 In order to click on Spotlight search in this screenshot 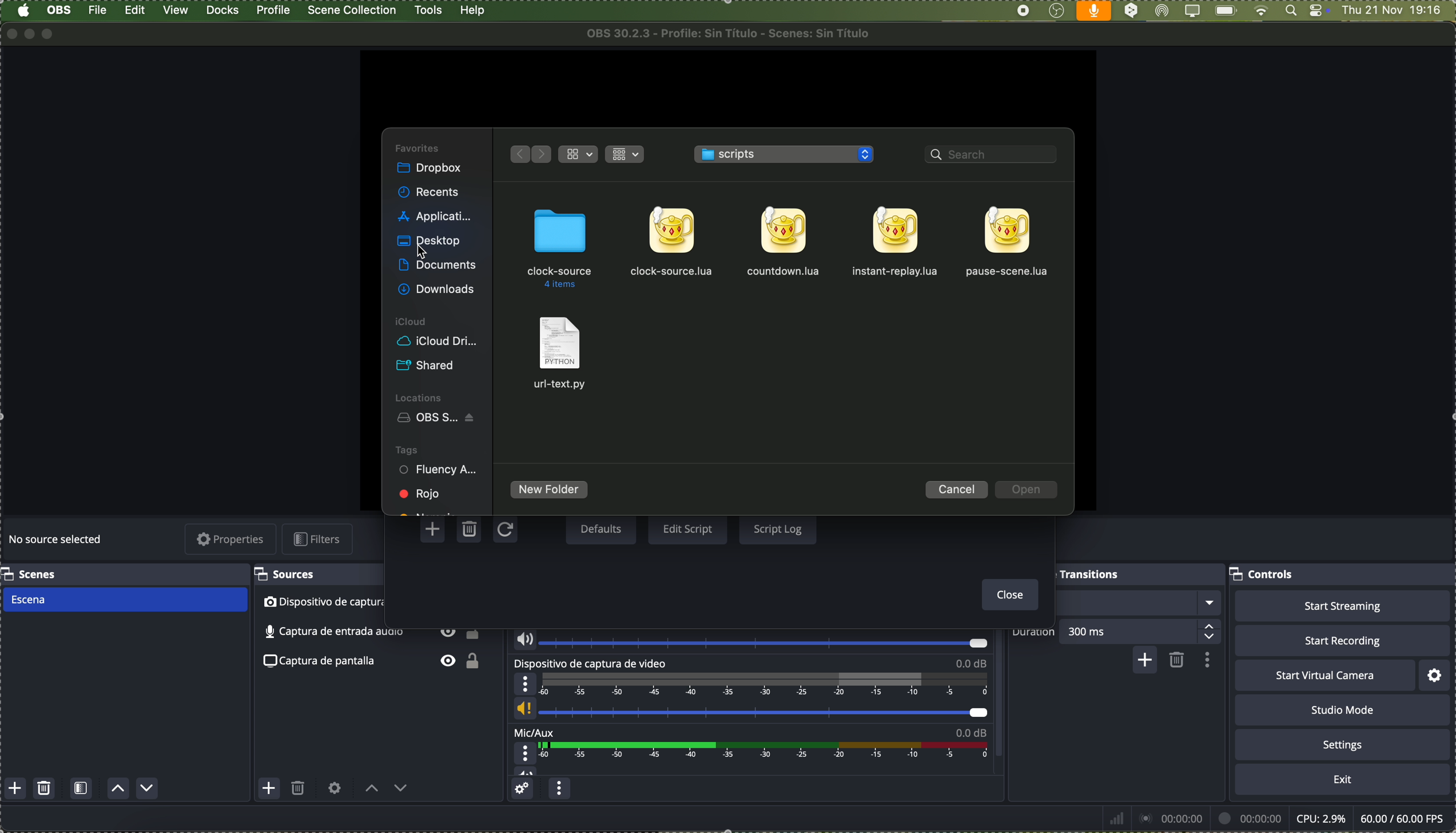, I will do `click(1289, 11)`.